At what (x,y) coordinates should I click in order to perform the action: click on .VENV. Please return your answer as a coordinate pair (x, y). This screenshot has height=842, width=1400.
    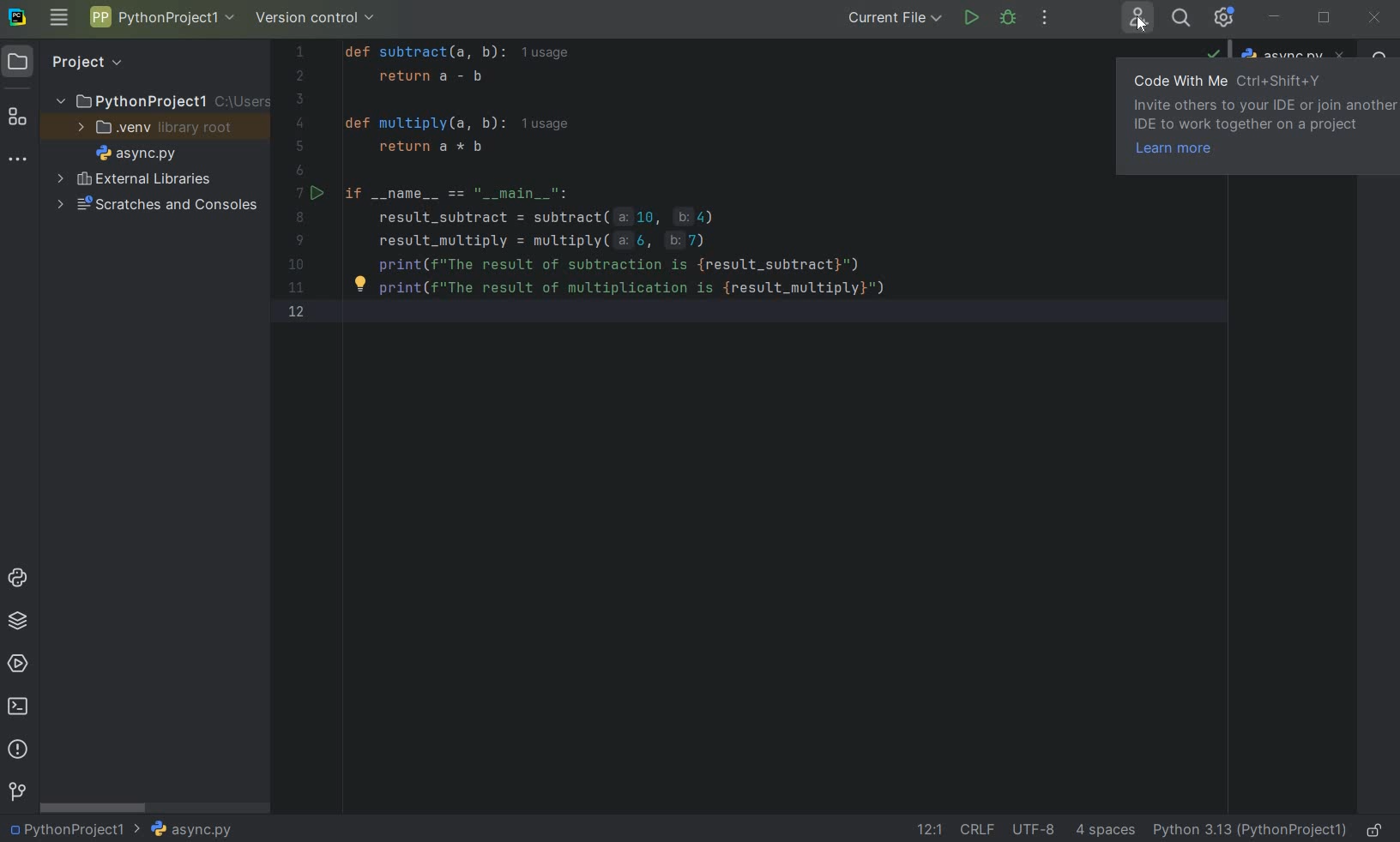
    Looking at the image, I should click on (155, 128).